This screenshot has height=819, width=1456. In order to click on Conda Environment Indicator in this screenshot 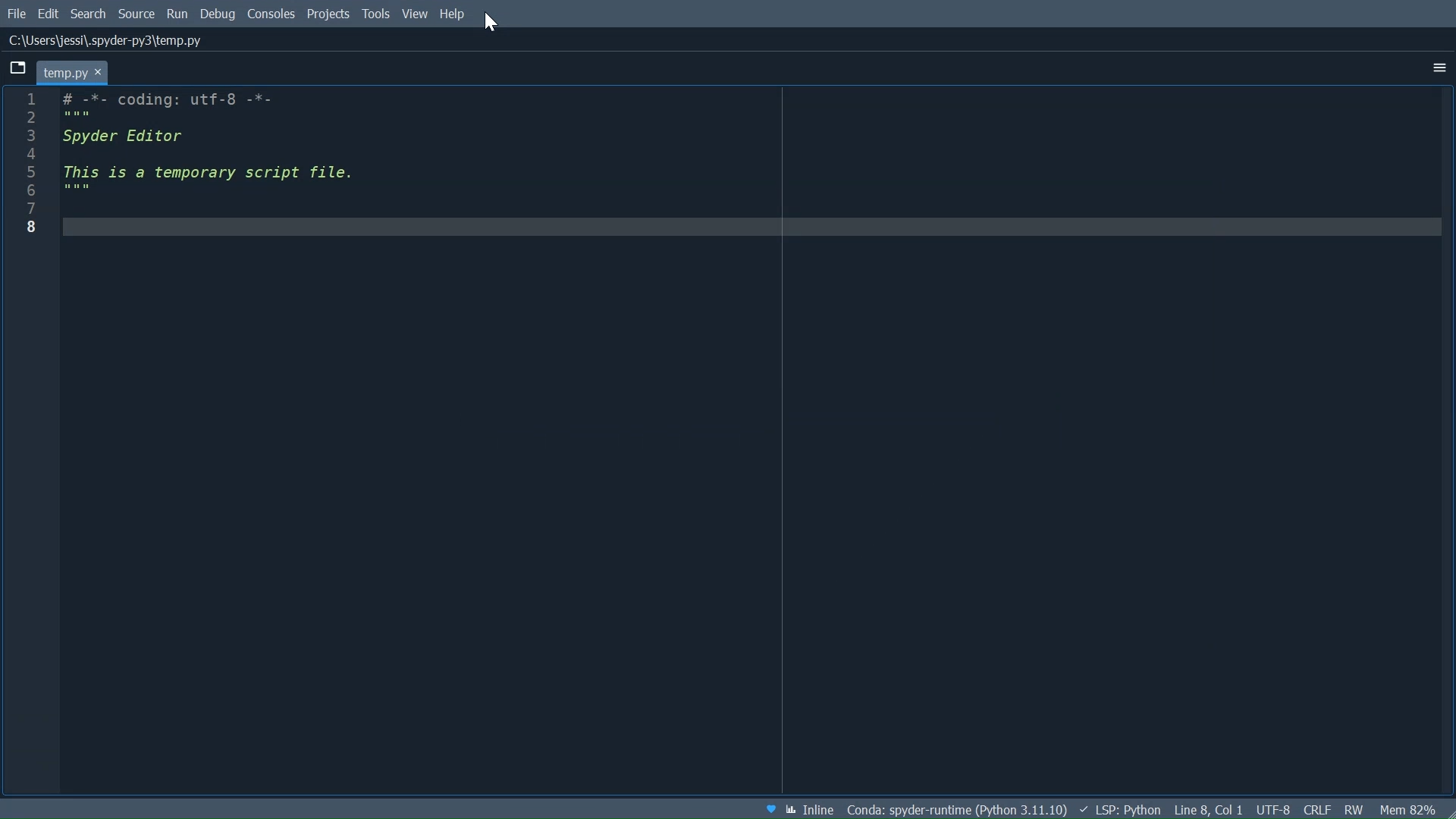, I will do `click(959, 808)`.